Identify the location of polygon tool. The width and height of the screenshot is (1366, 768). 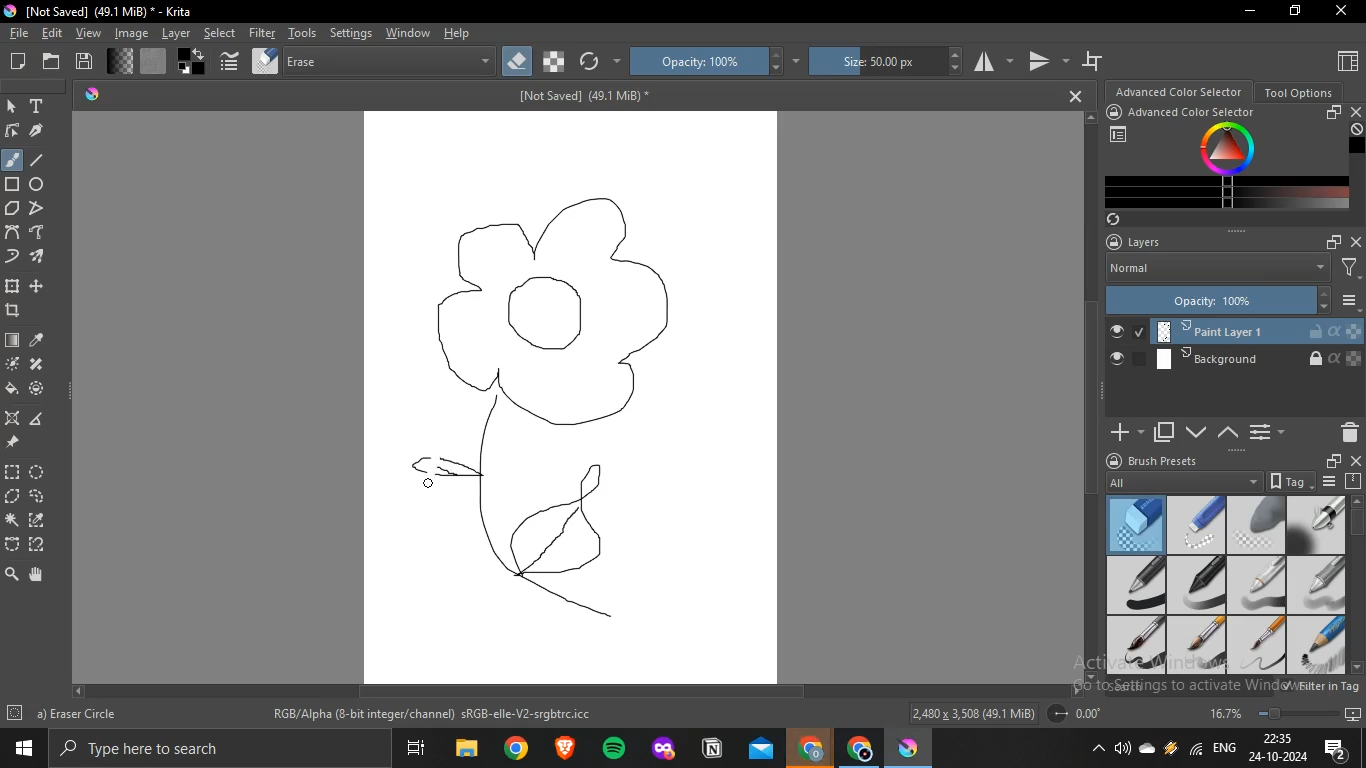
(14, 207).